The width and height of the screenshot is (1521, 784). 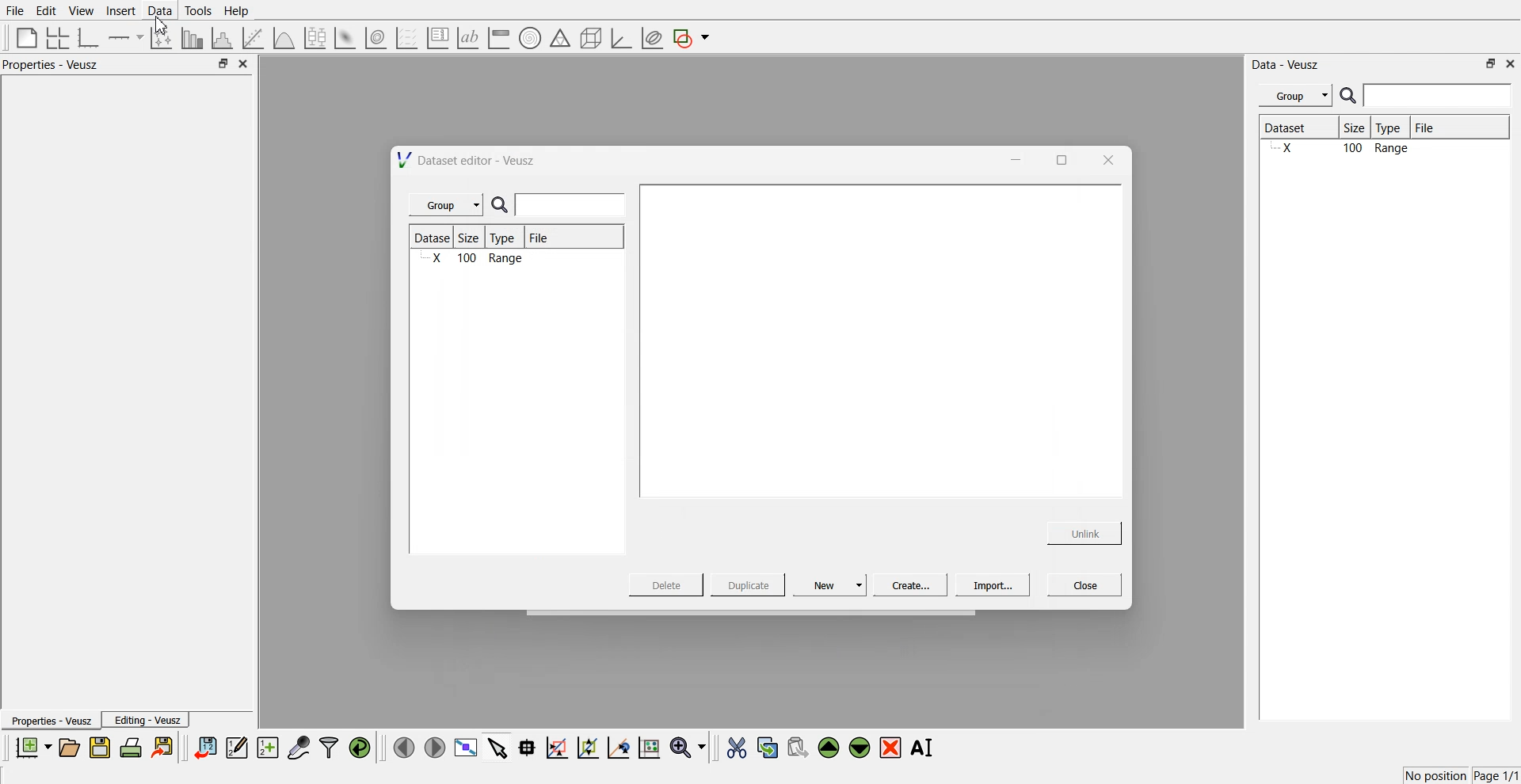 I want to click on move  the selected widgets down, so click(x=860, y=746).